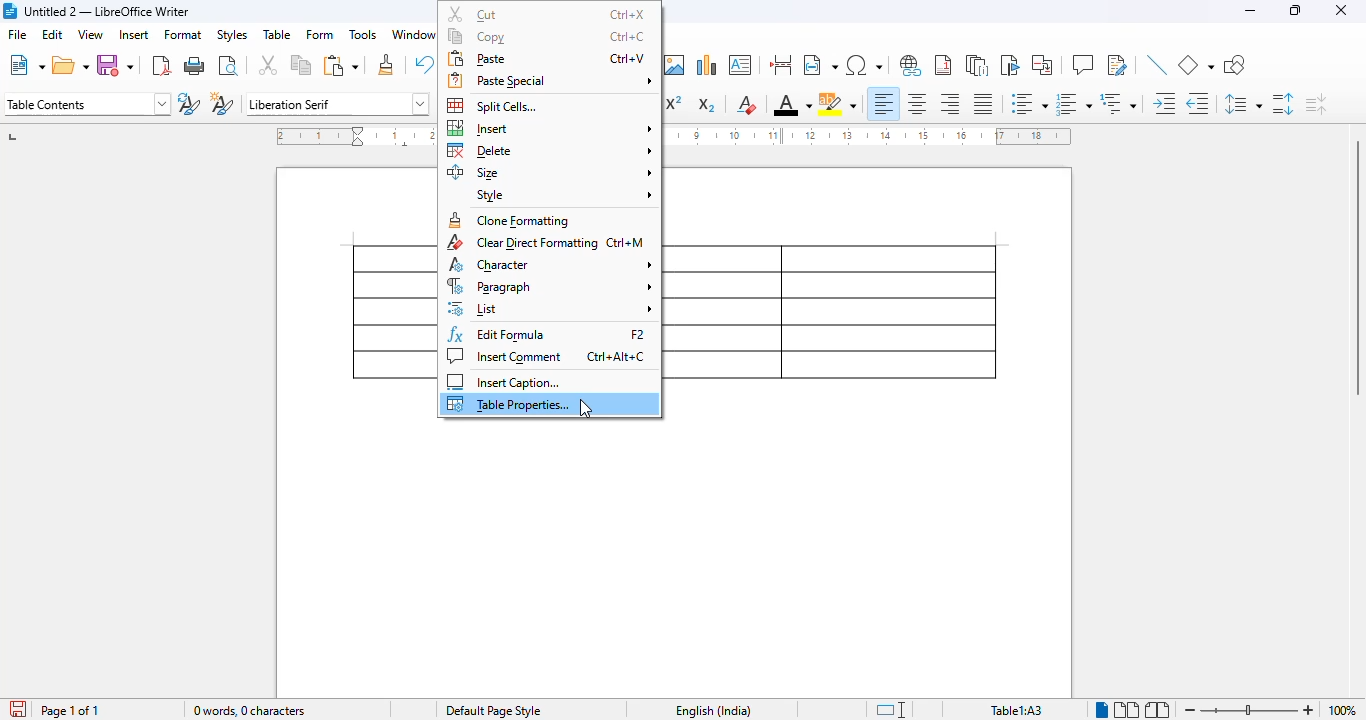 The width and height of the screenshot is (1366, 720). Describe the element at coordinates (71, 65) in the screenshot. I see `open` at that location.